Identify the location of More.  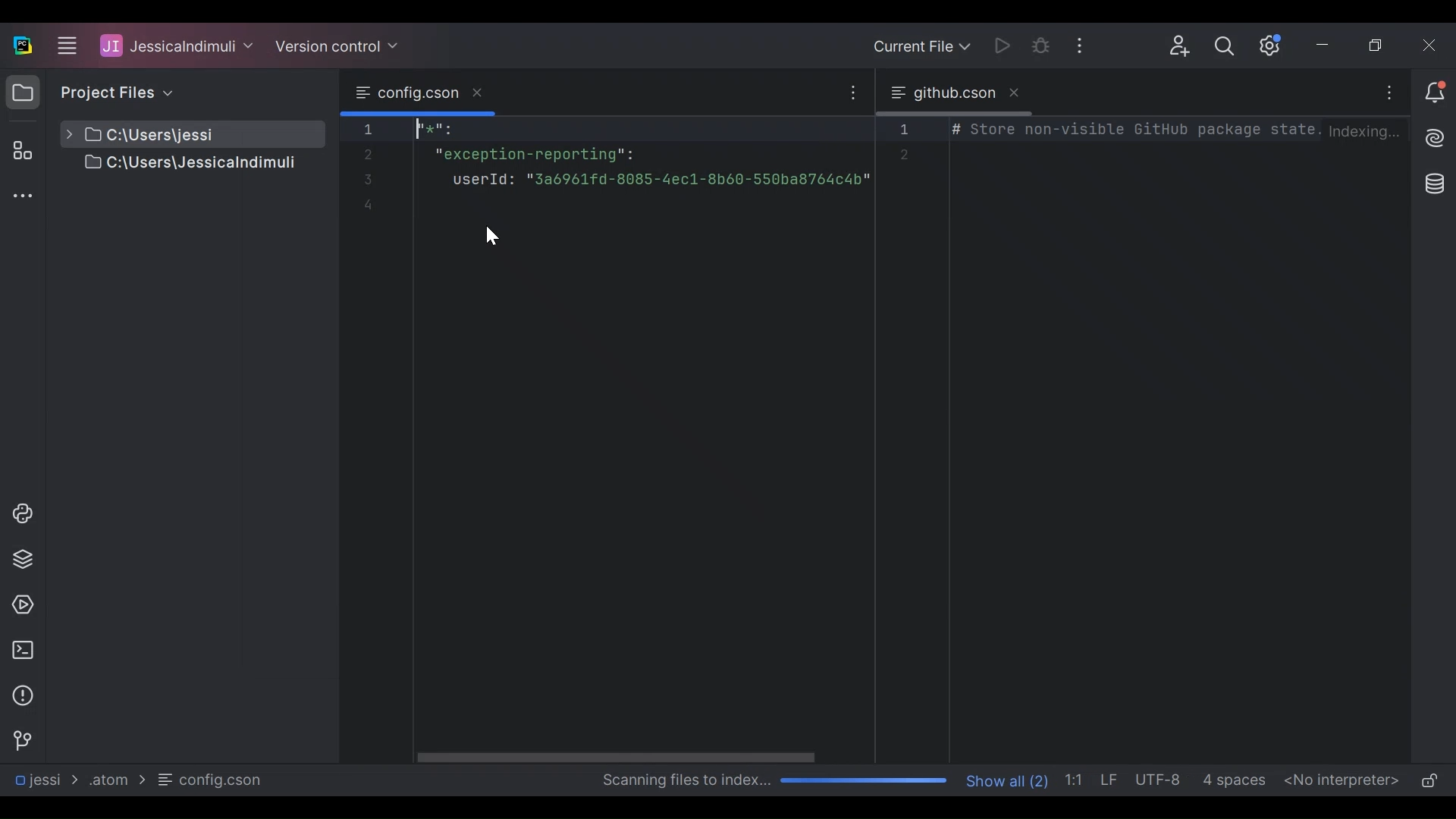
(1391, 93).